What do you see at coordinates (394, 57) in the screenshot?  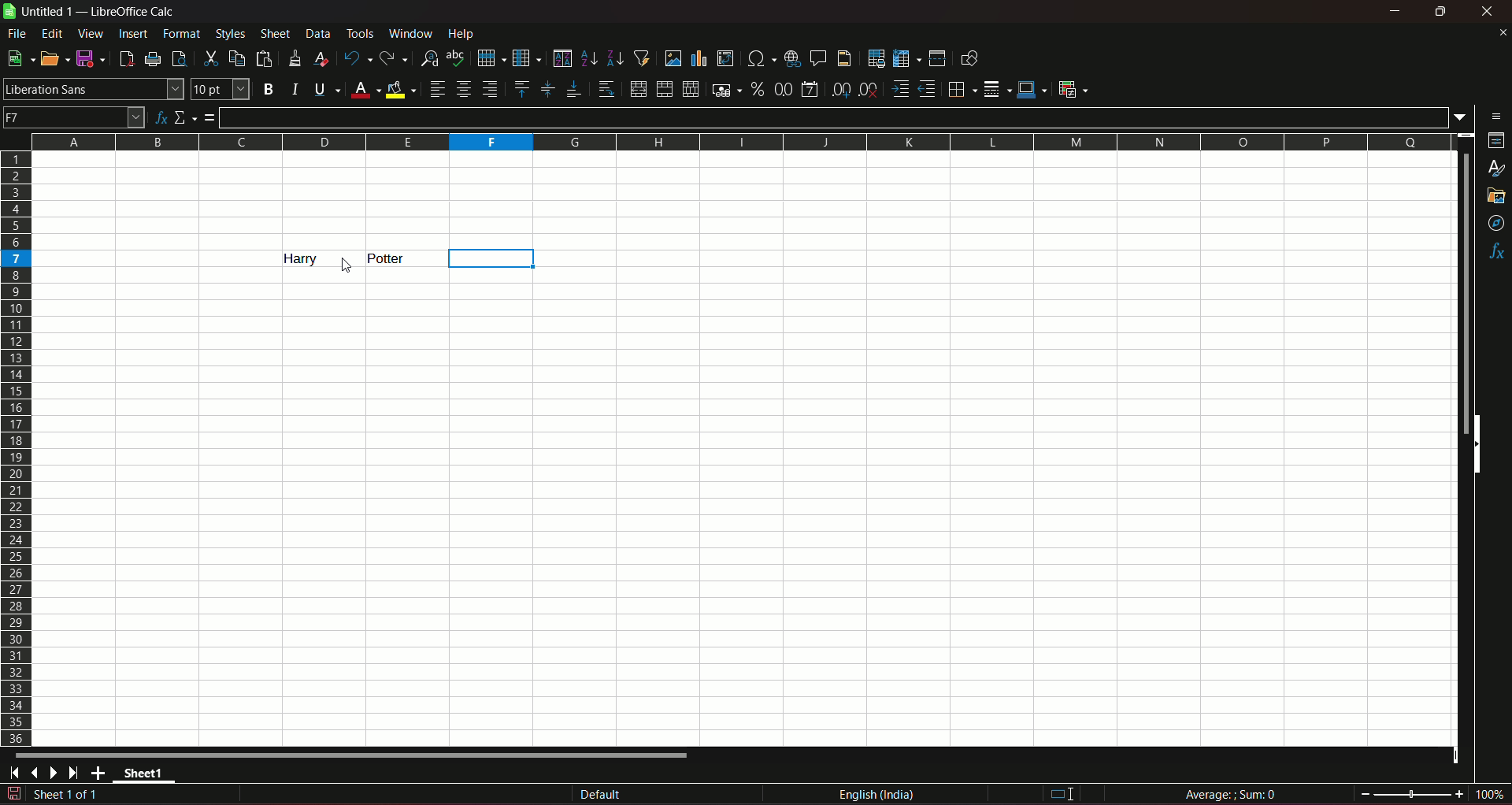 I see `redo` at bounding box center [394, 57].